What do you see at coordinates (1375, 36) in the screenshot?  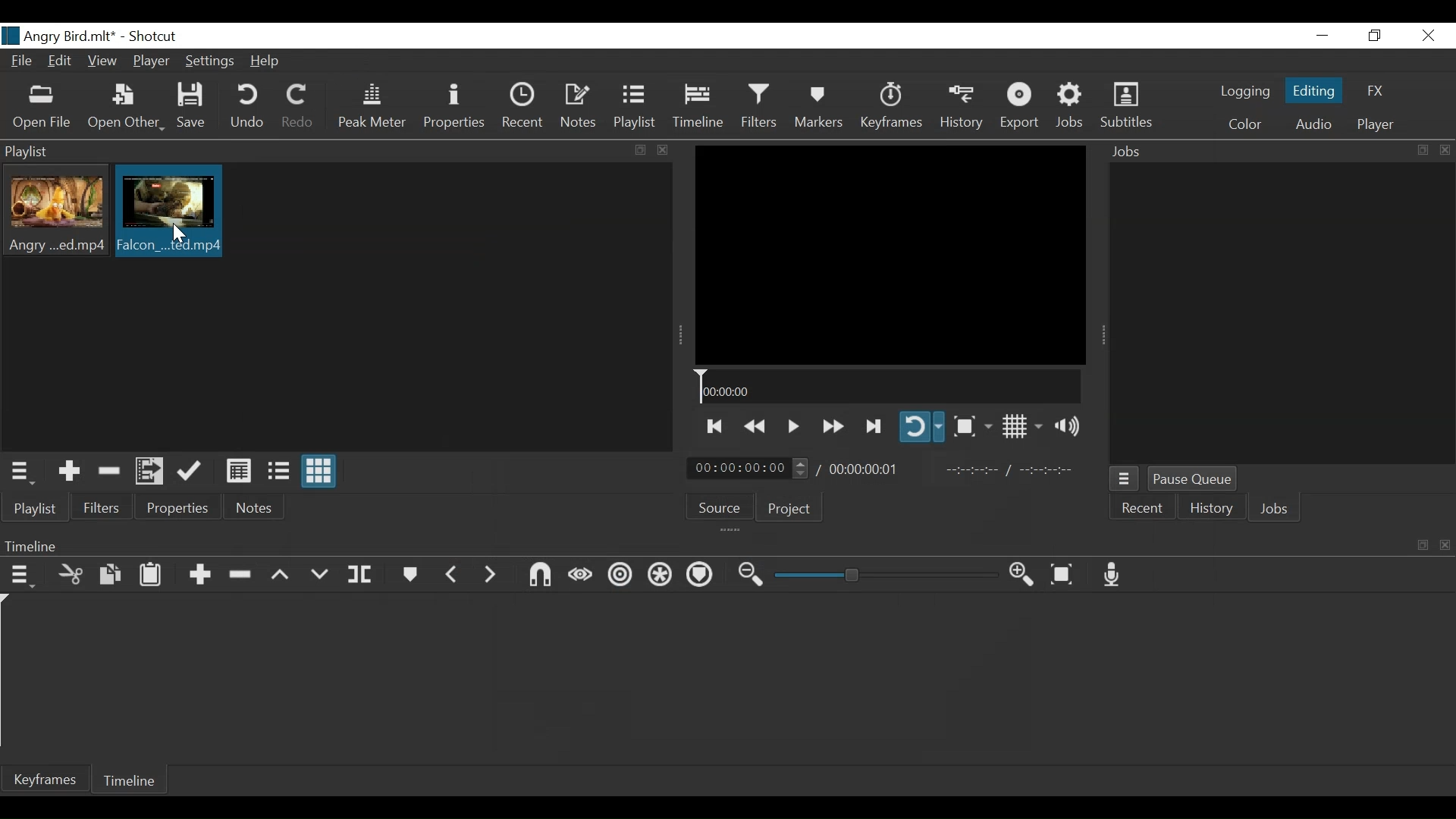 I see `Restore` at bounding box center [1375, 36].